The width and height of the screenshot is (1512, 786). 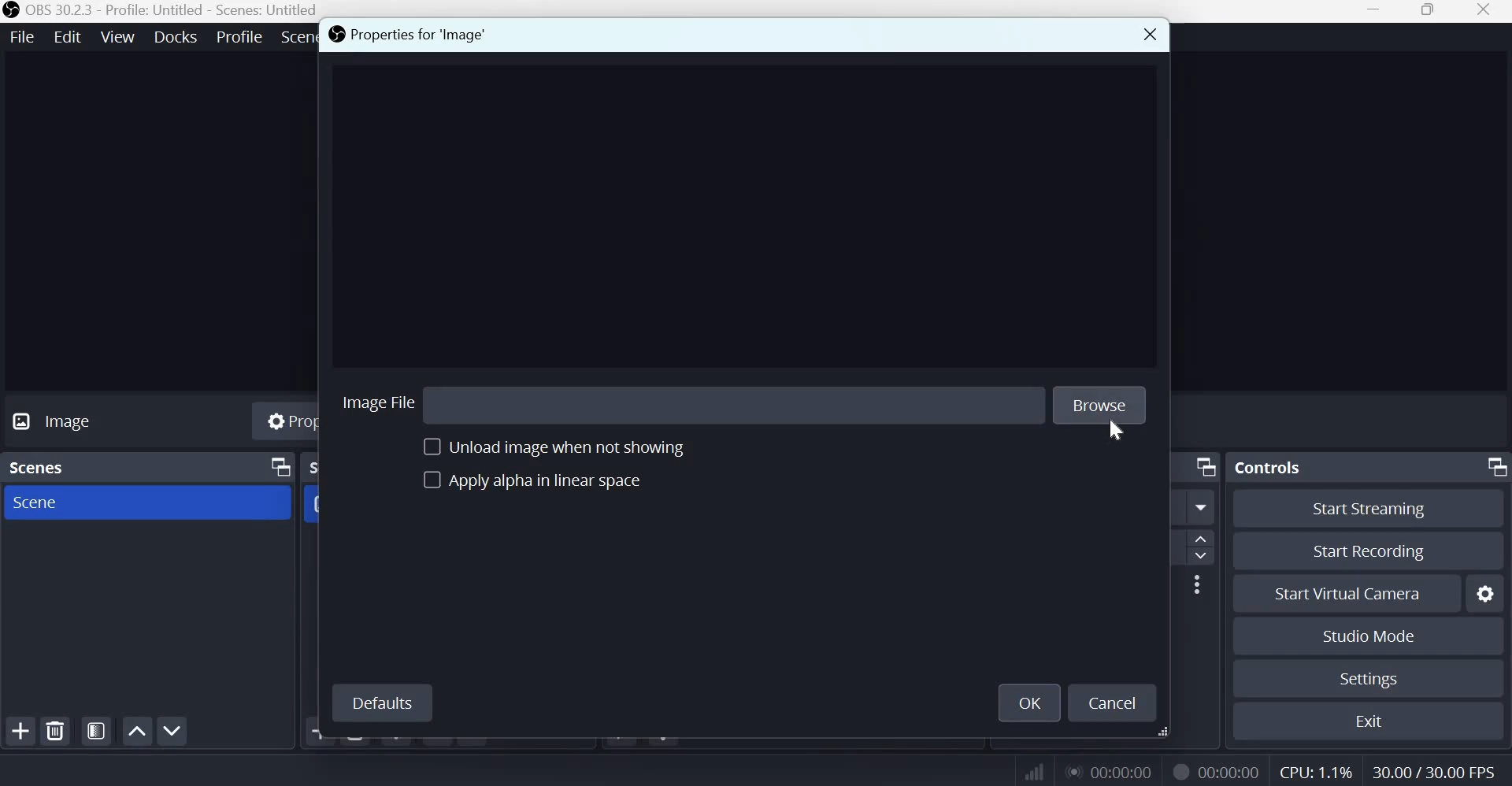 I want to click on Image file, so click(x=377, y=400).